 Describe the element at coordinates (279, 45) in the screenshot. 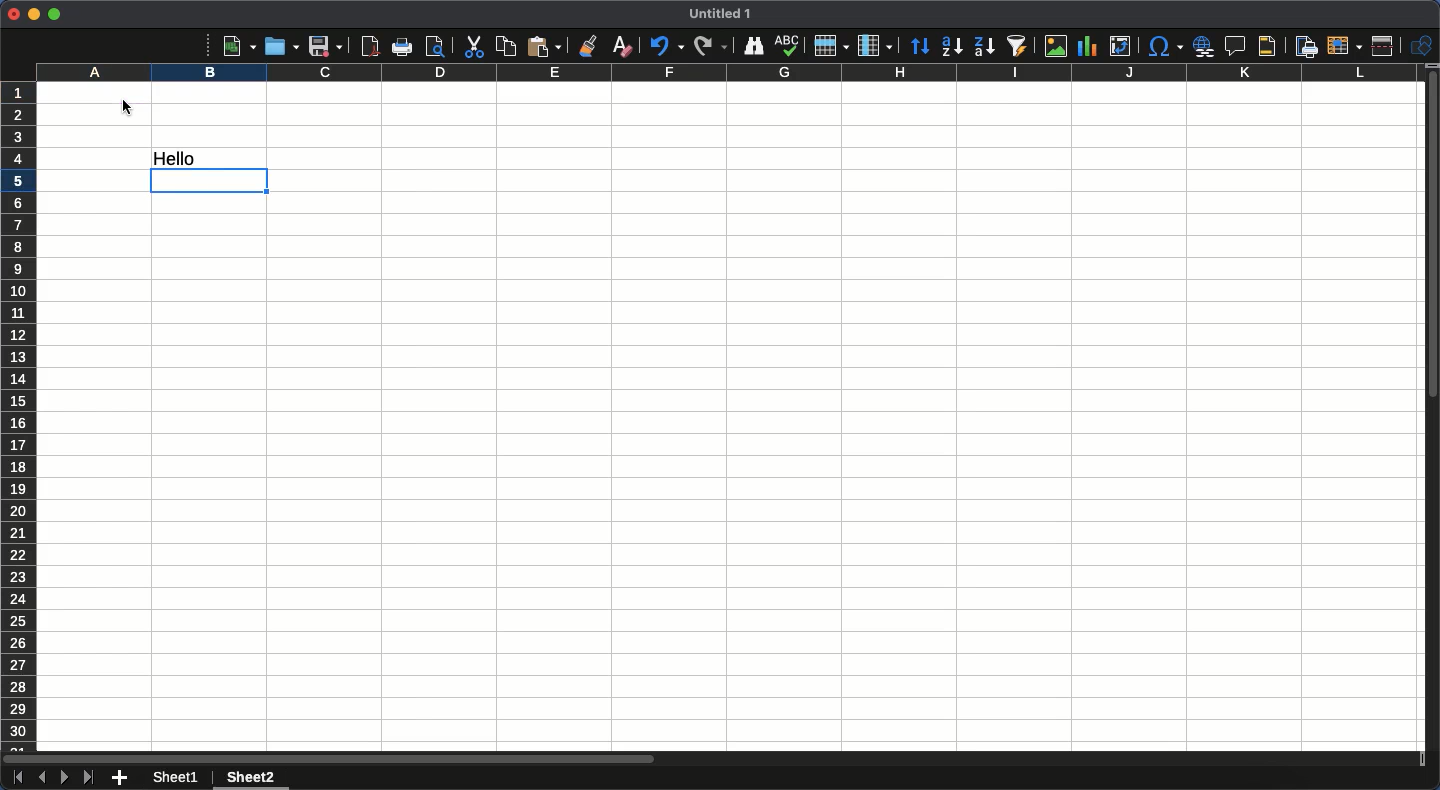

I see `Open` at that location.